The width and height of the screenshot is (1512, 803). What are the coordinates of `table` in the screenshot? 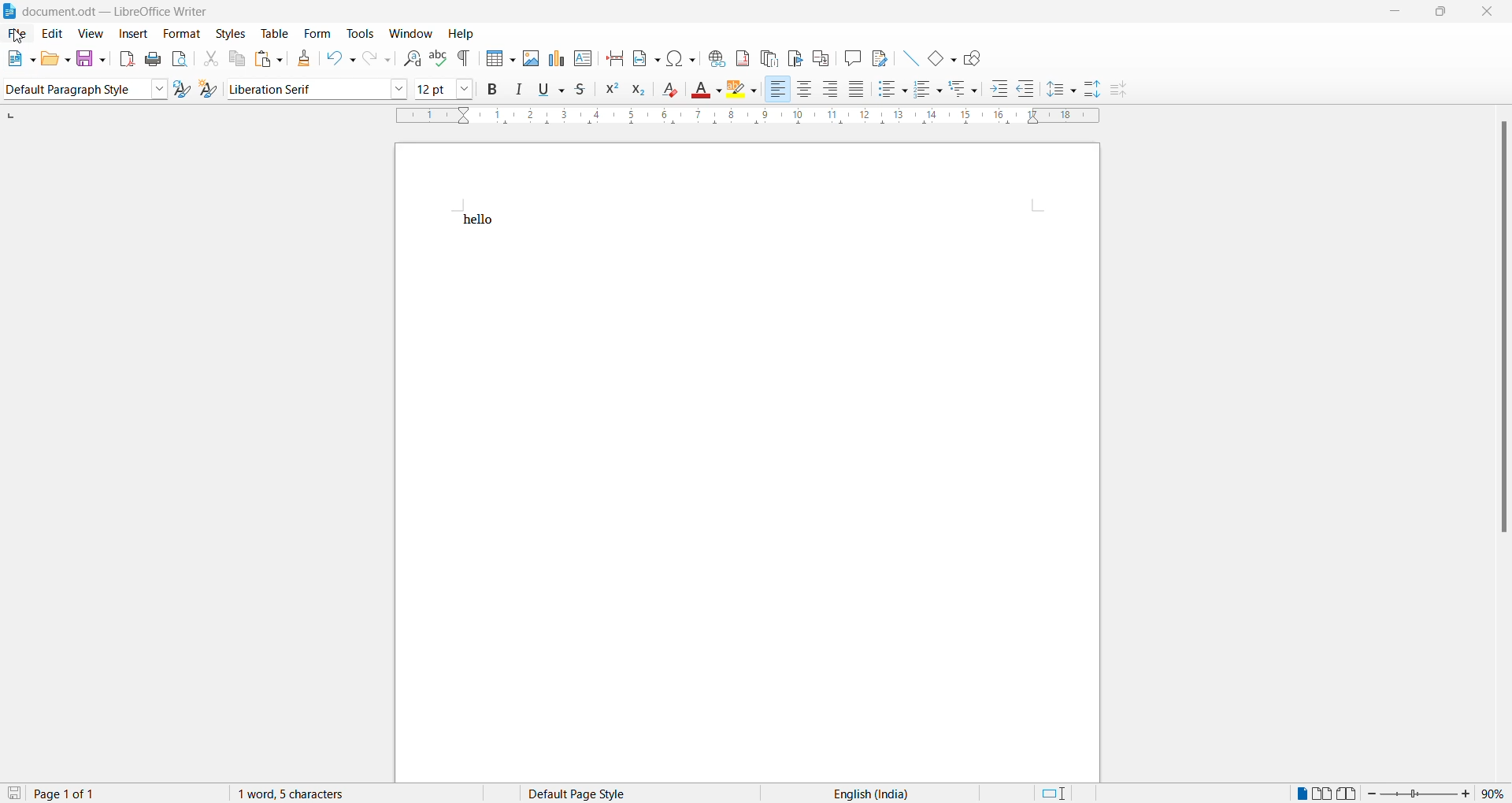 It's located at (272, 33).